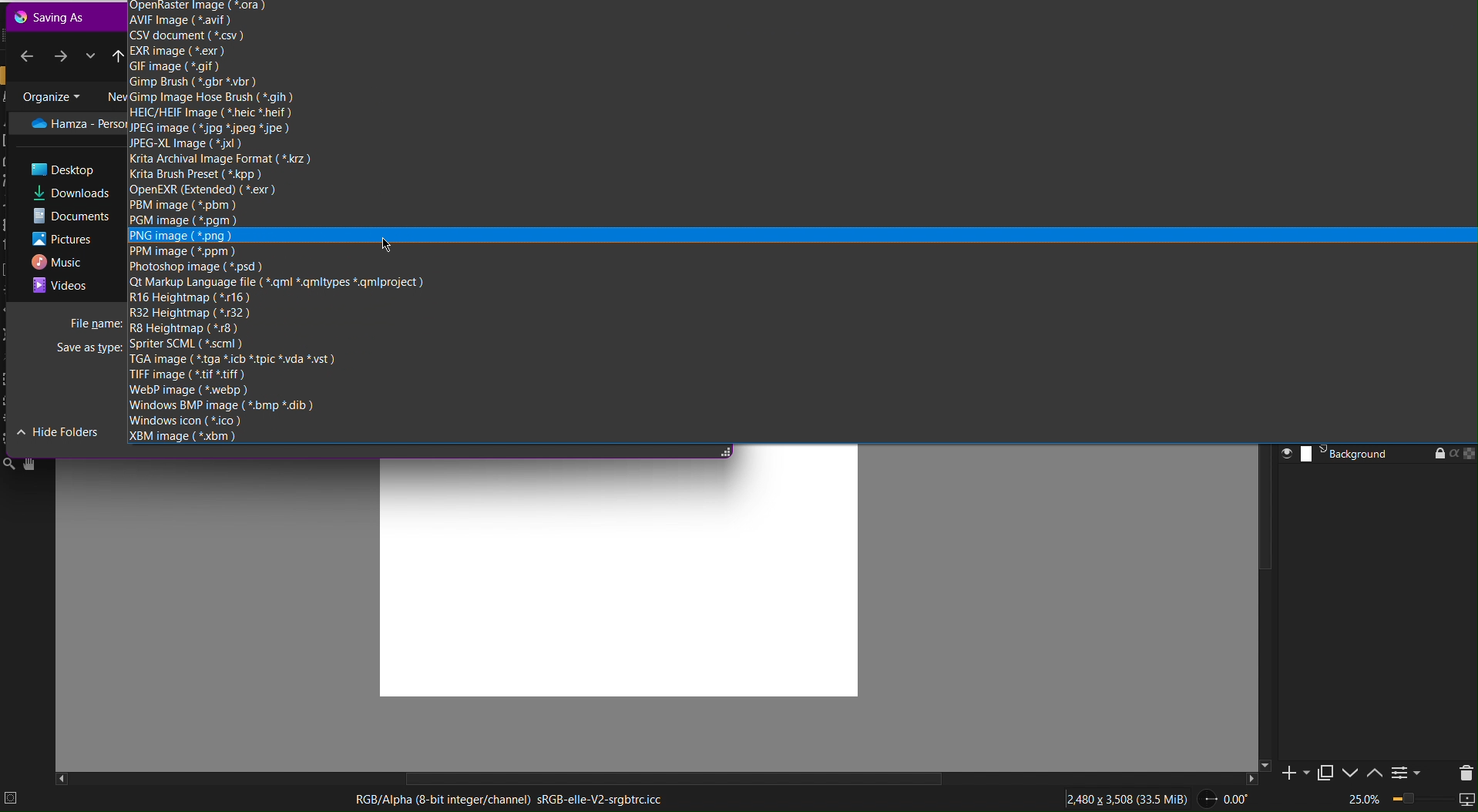 The image size is (1478, 812). Describe the element at coordinates (1463, 771) in the screenshot. I see `Delete` at that location.